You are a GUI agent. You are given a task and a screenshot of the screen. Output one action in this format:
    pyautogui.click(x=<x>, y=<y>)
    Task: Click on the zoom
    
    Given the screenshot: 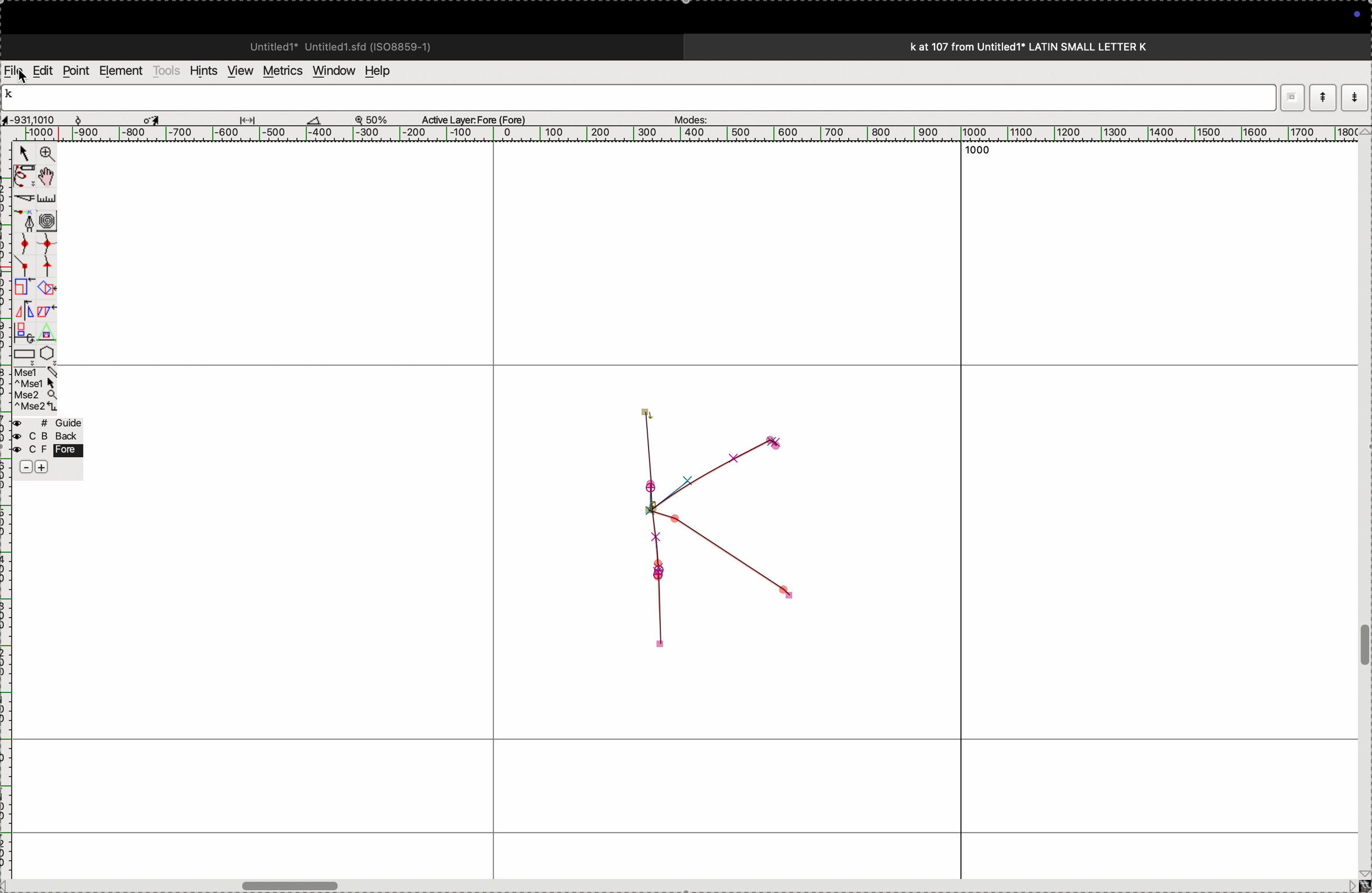 What is the action you would take?
    pyautogui.click(x=377, y=119)
    